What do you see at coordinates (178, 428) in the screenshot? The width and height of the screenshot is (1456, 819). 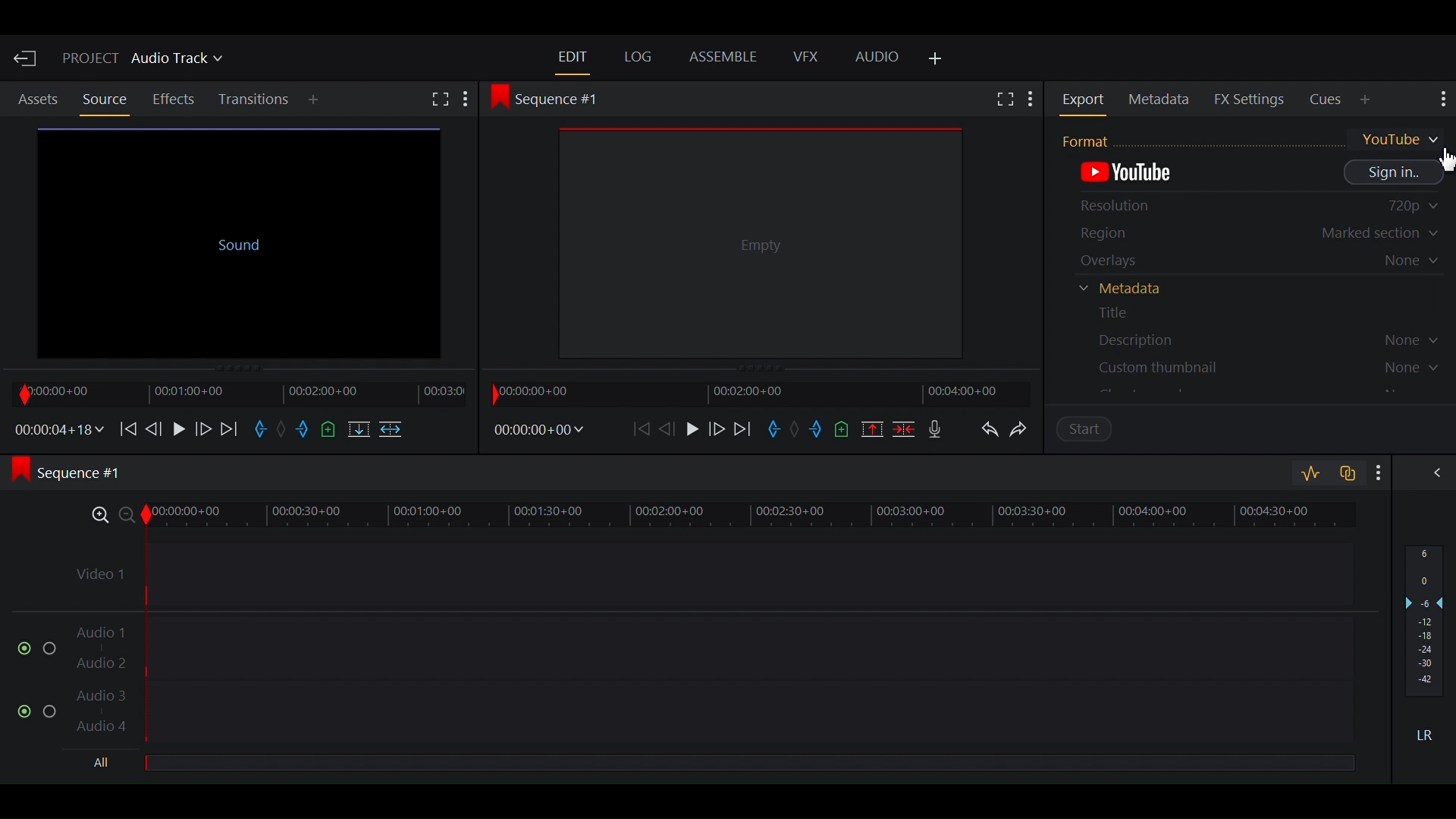 I see `Play` at bounding box center [178, 428].